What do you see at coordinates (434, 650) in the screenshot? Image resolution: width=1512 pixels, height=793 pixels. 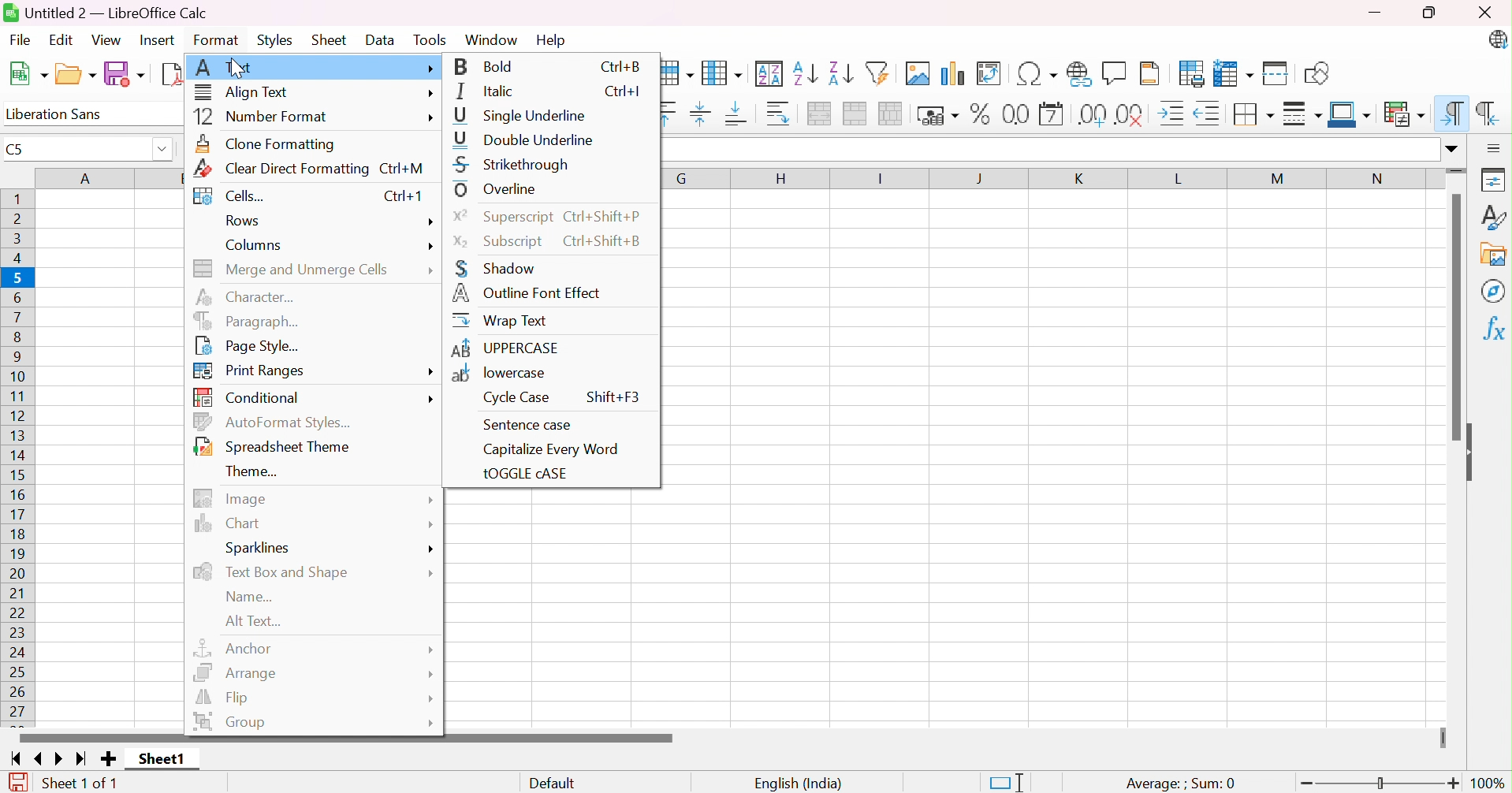 I see `More` at bounding box center [434, 650].